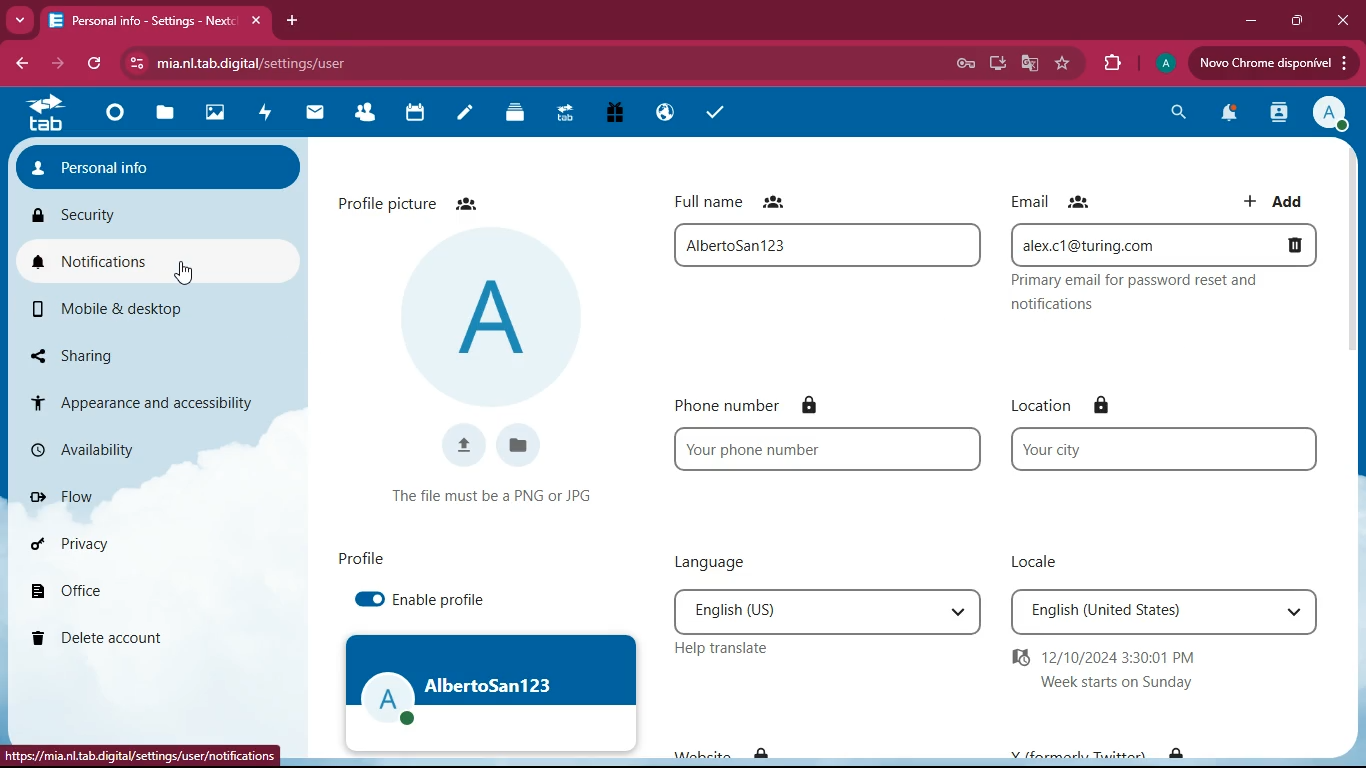 The image size is (1366, 768). What do you see at coordinates (292, 24) in the screenshot?
I see `add tab` at bounding box center [292, 24].